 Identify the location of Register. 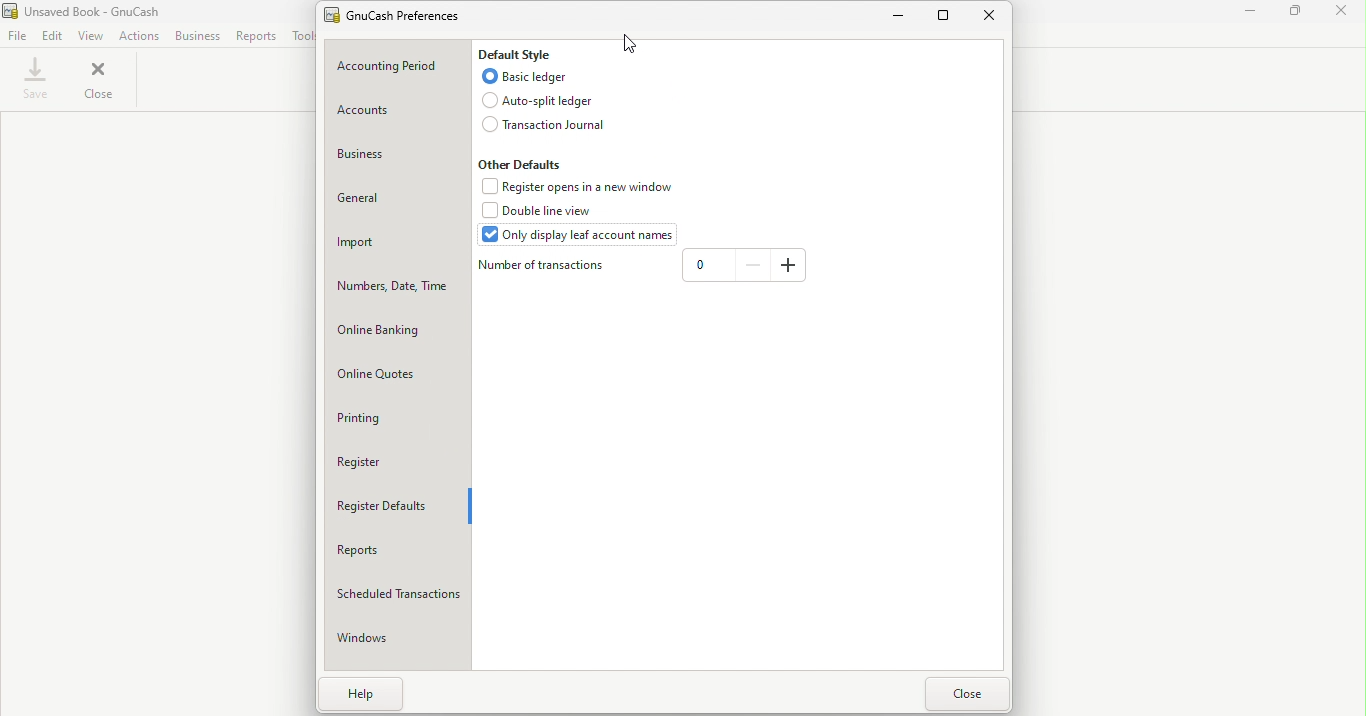
(396, 461).